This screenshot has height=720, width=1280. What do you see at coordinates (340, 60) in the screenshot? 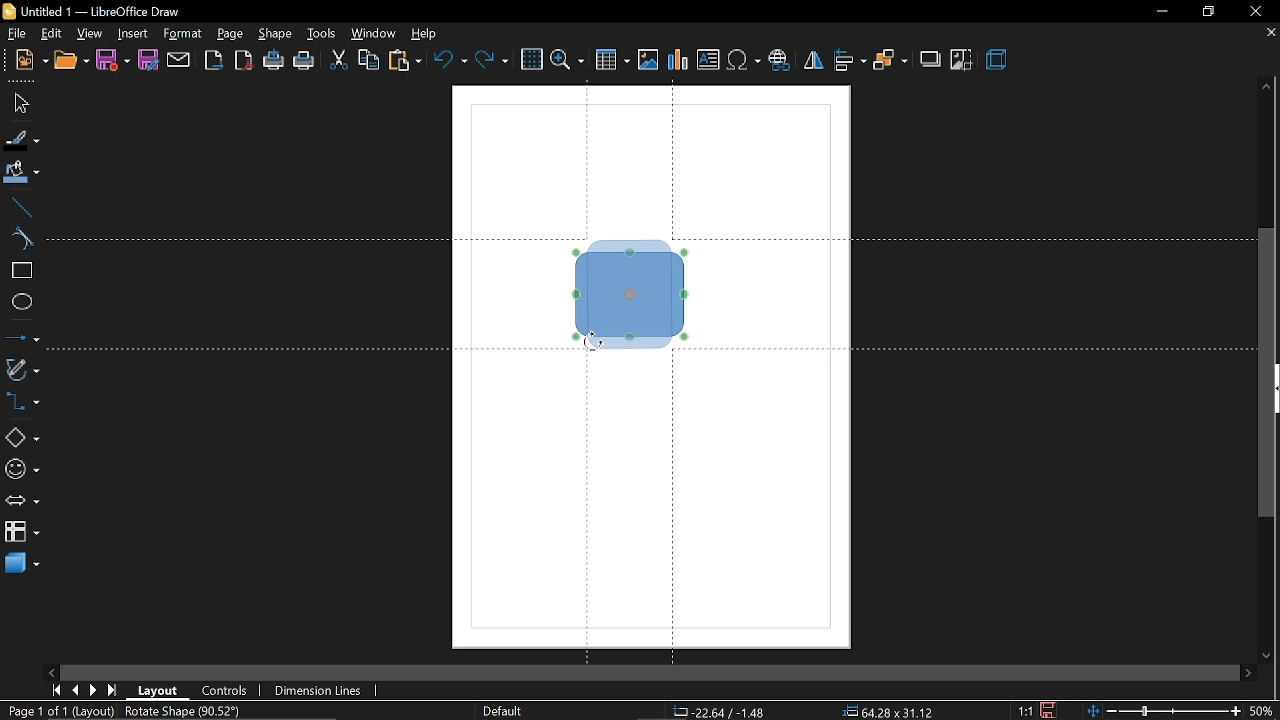
I see `cut` at bounding box center [340, 60].